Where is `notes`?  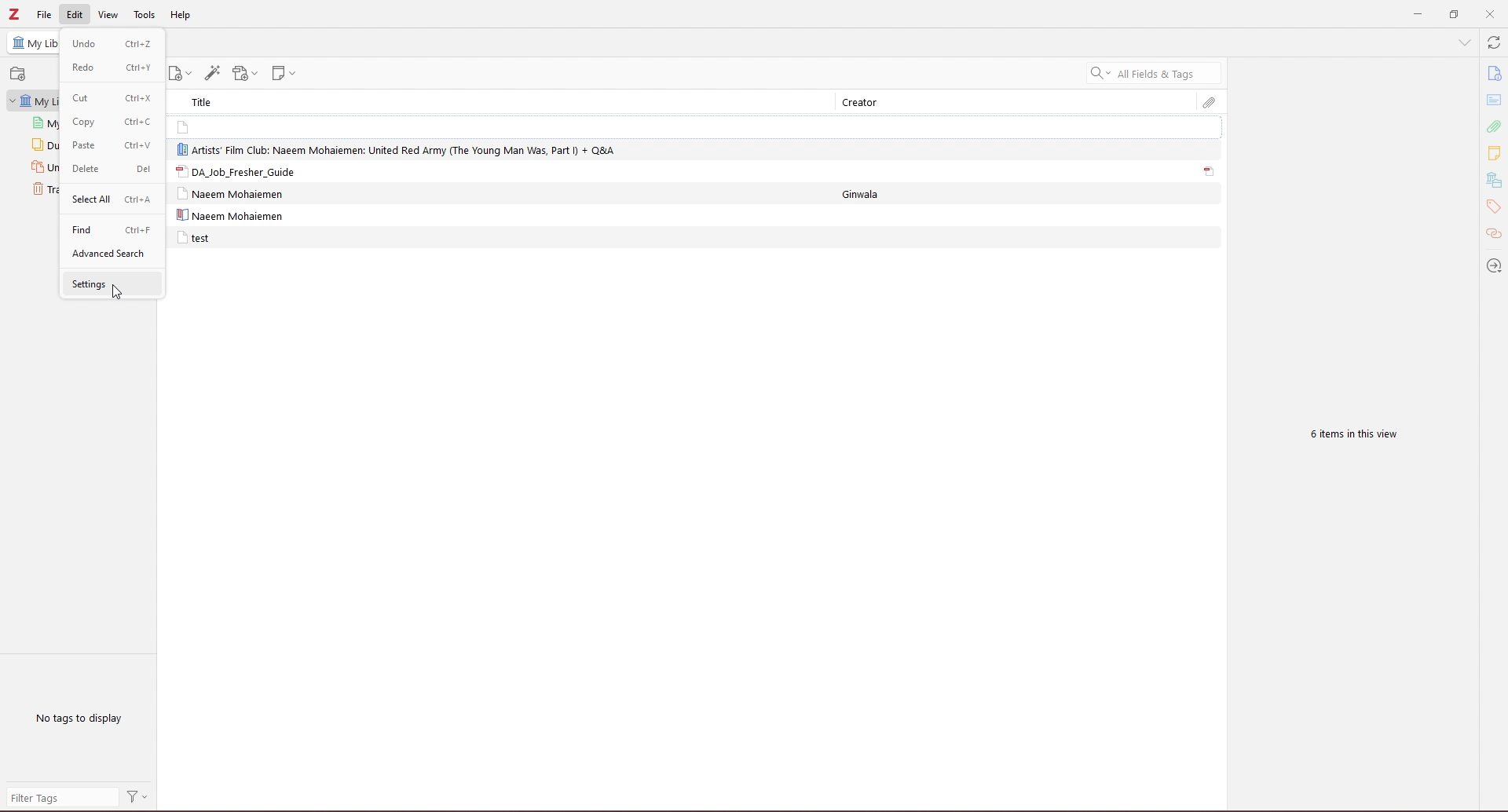 notes is located at coordinates (1494, 152).